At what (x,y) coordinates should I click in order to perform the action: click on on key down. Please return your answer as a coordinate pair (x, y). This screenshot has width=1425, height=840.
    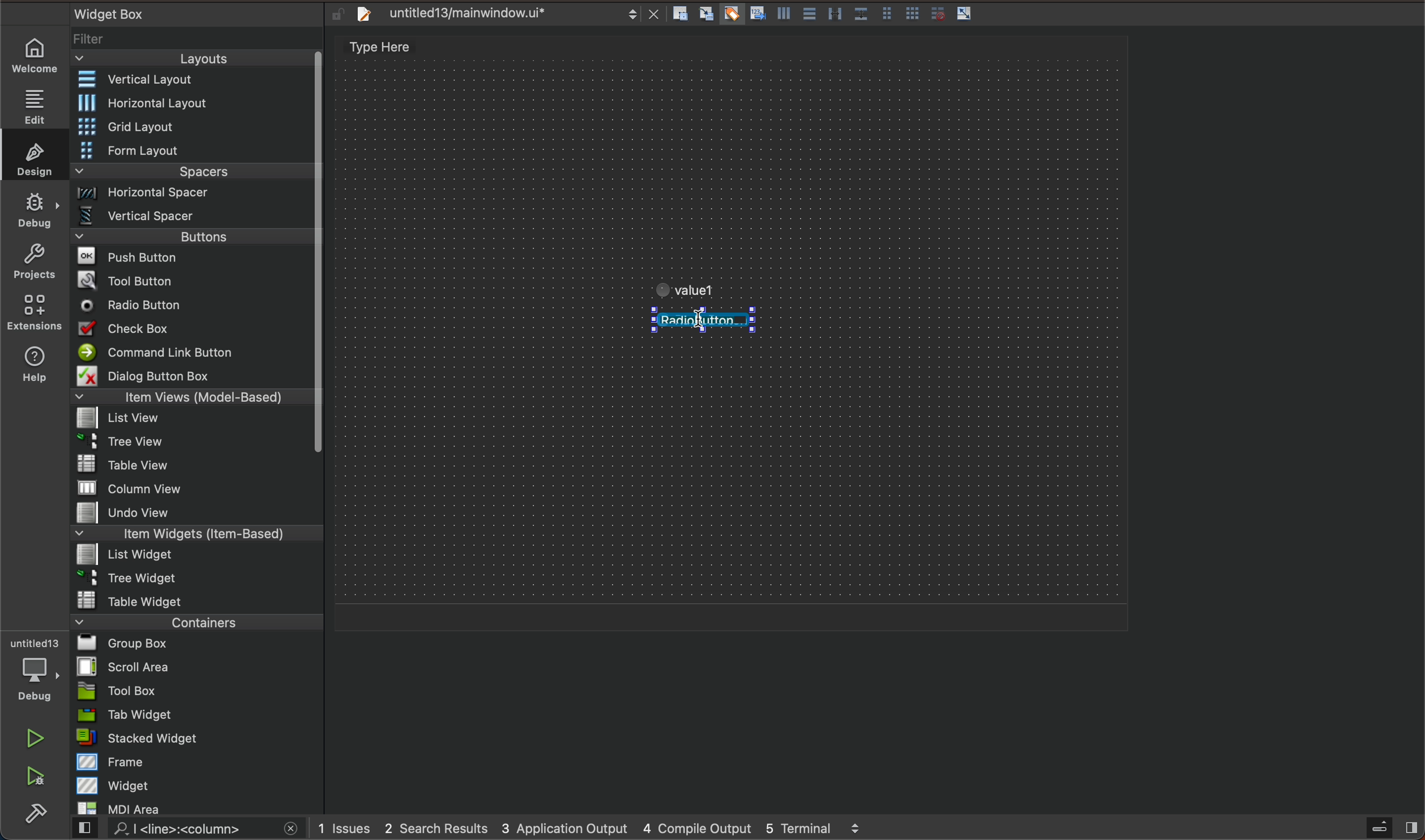
    Looking at the image, I should click on (135, 306).